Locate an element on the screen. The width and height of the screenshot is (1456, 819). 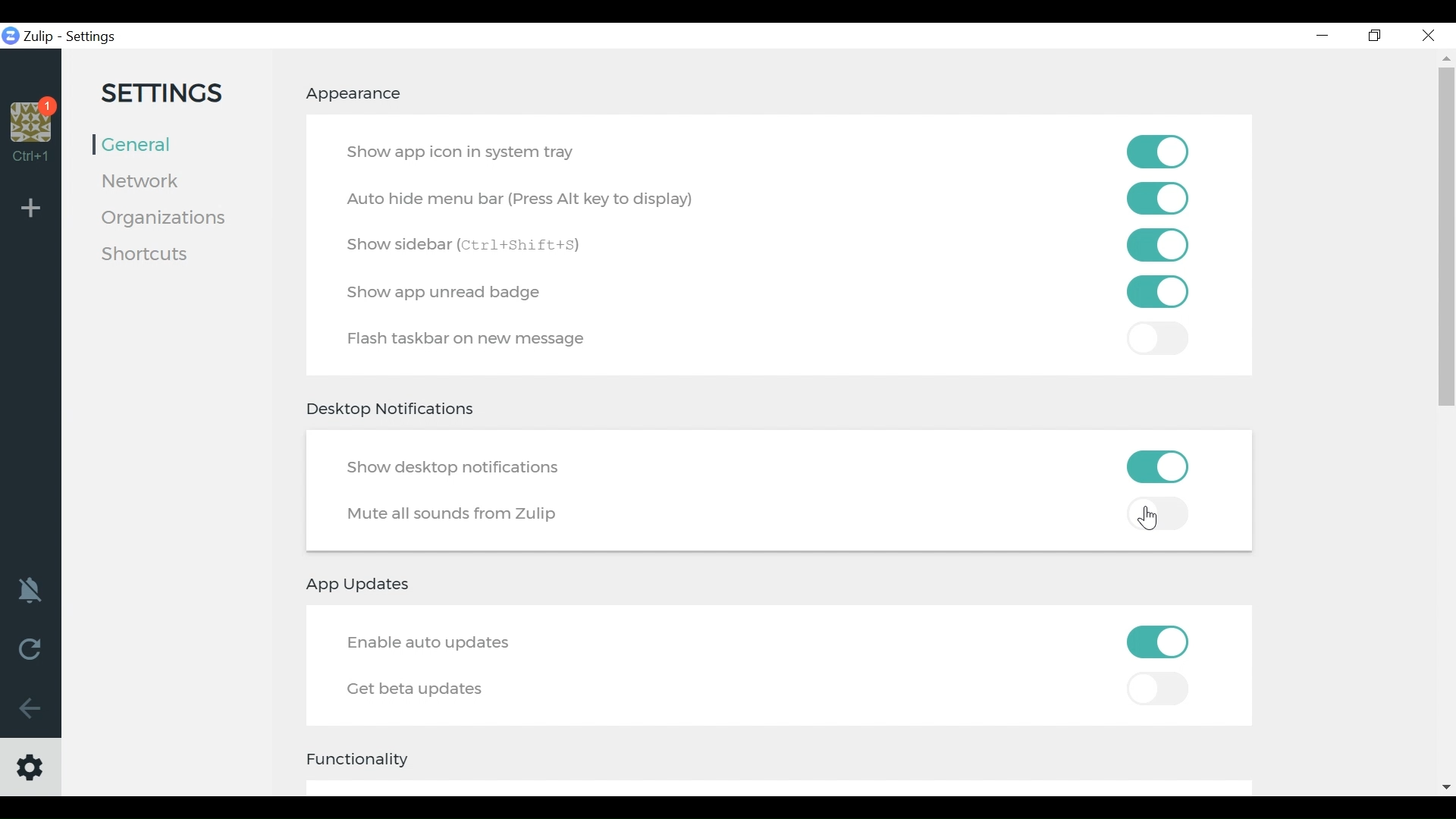
vertical scroll  bar is located at coordinates (1447, 244).